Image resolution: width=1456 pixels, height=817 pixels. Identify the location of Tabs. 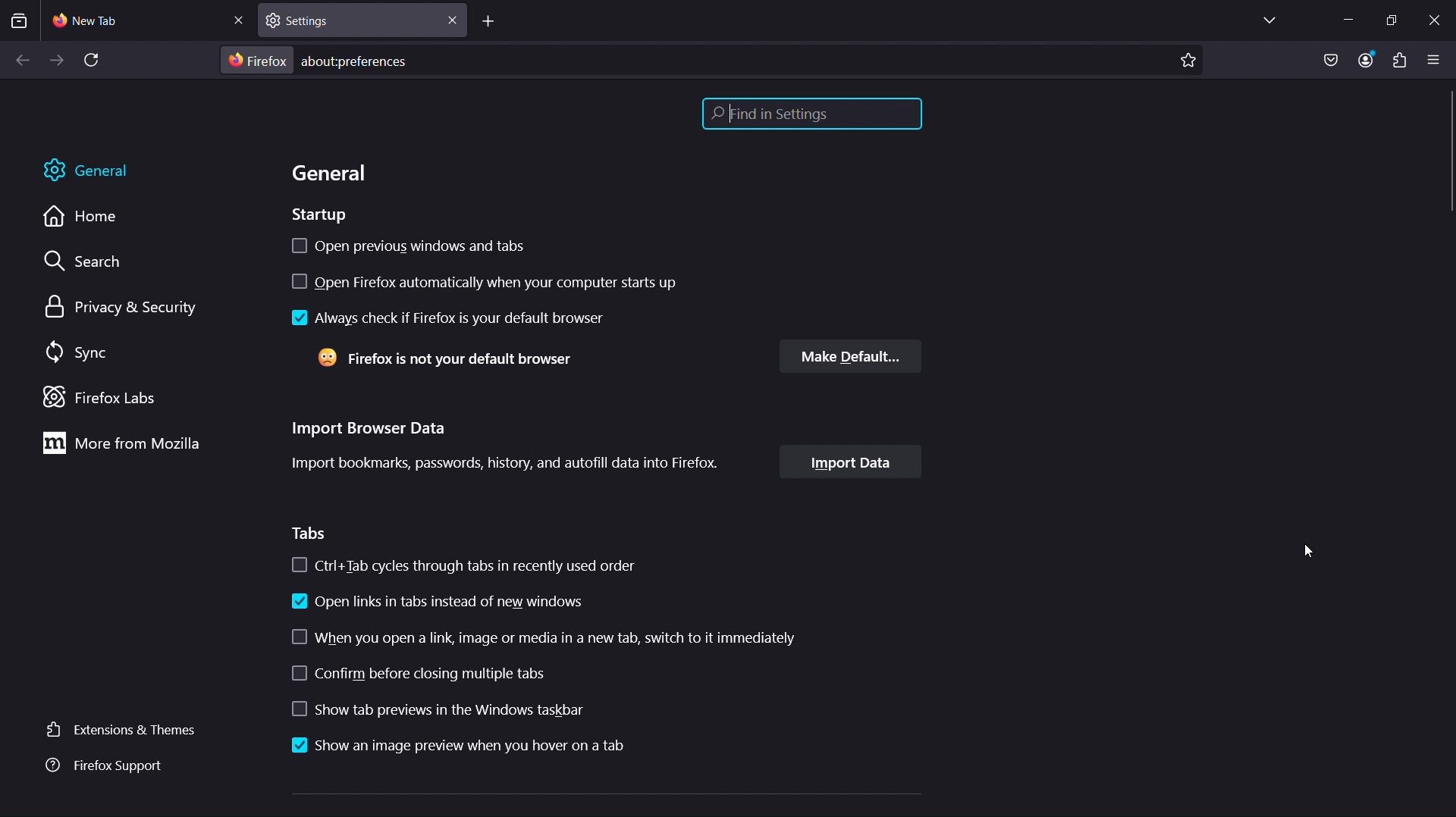
(310, 534).